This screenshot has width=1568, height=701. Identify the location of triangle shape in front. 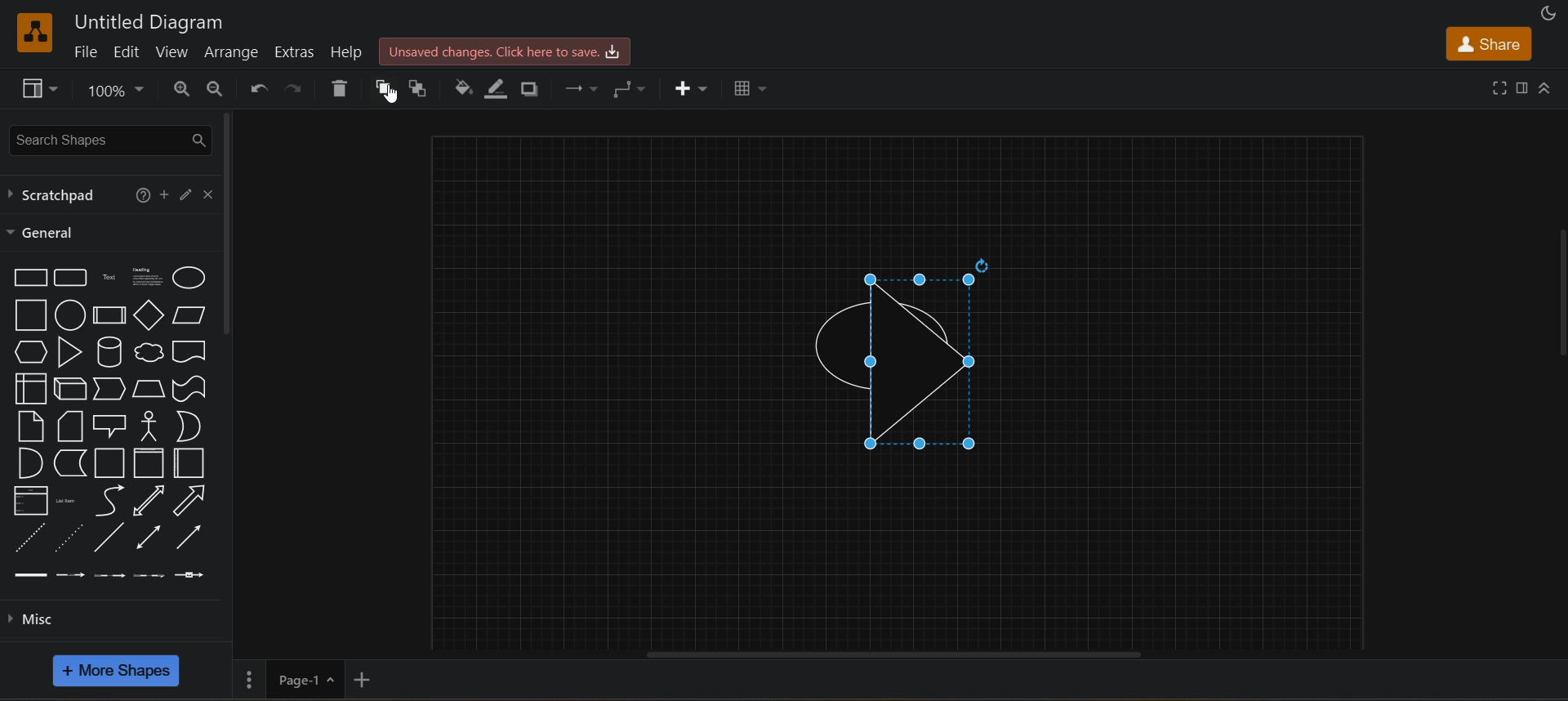
(904, 355).